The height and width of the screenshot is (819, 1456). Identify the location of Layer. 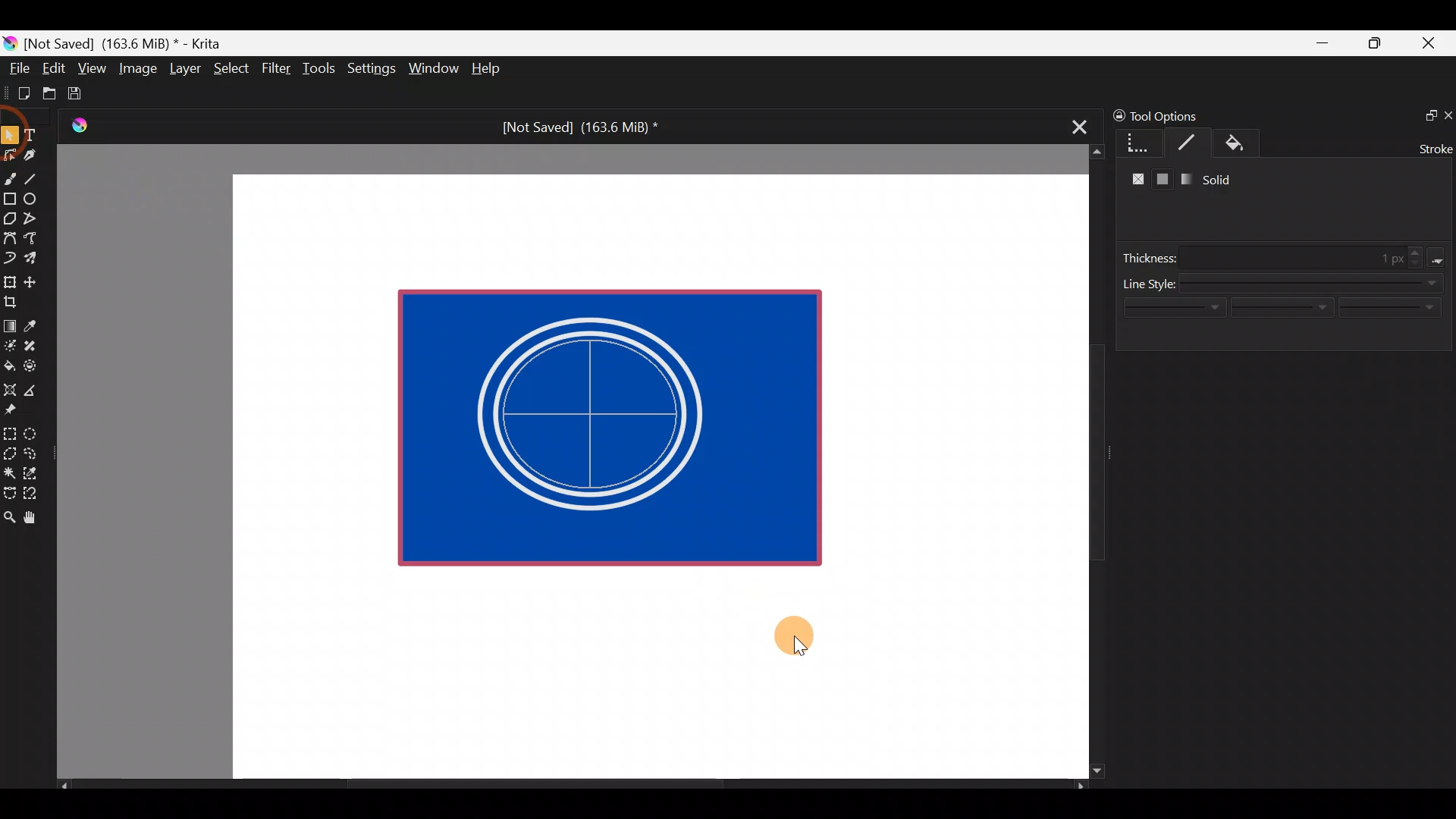
(184, 72).